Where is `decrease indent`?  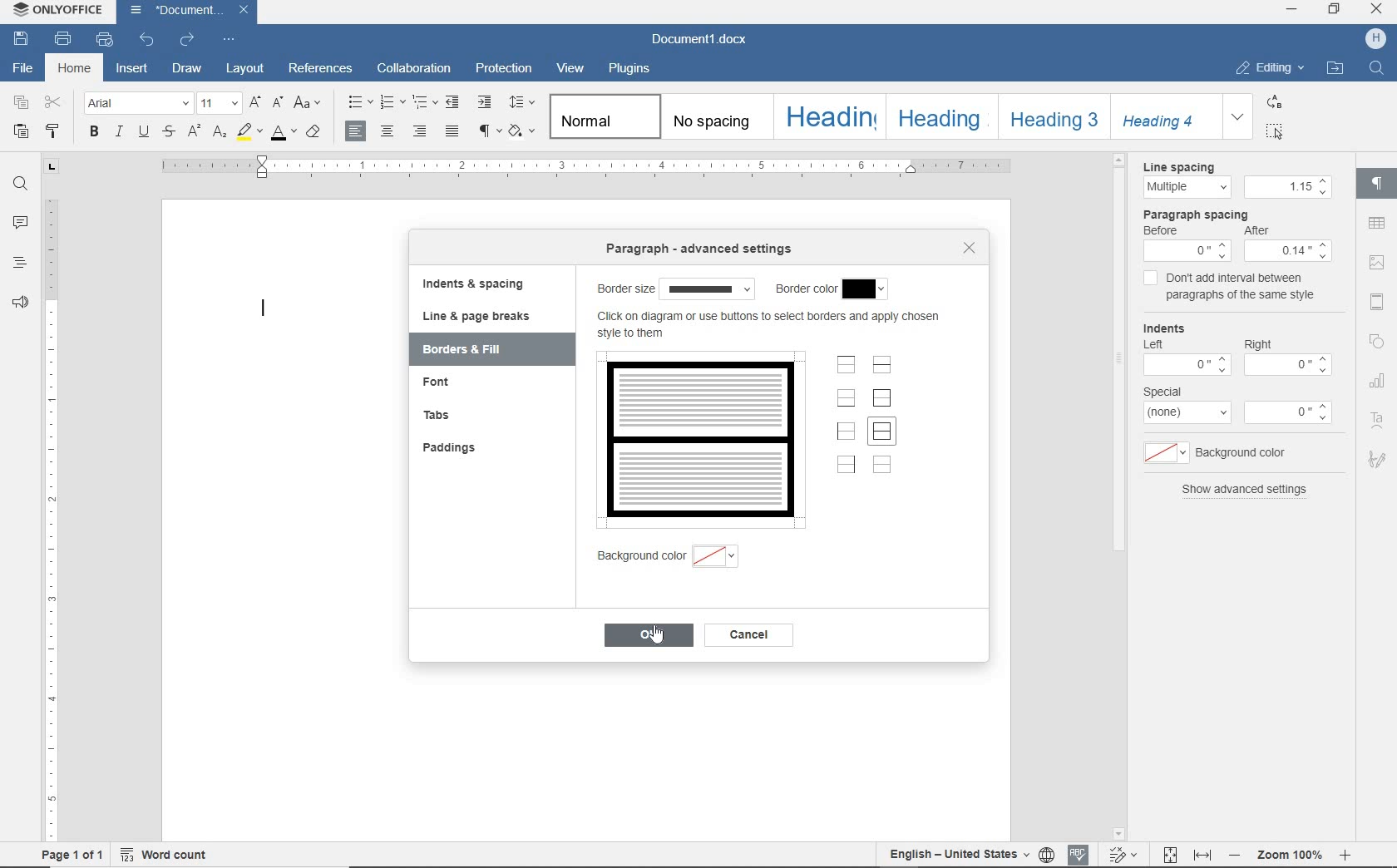
decrease indent is located at coordinates (455, 101).